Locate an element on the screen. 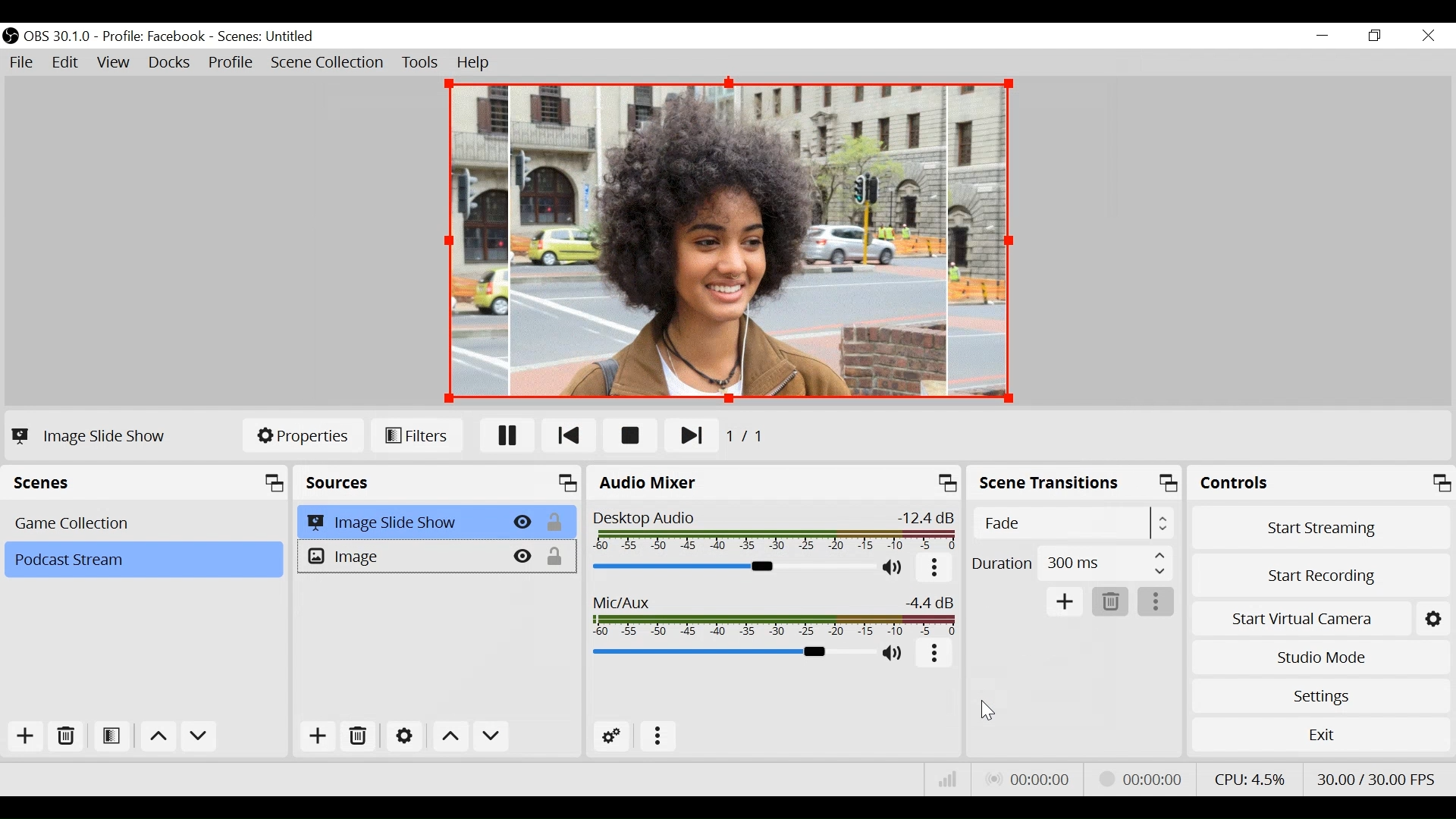  Advanced Audio Settings is located at coordinates (617, 737).